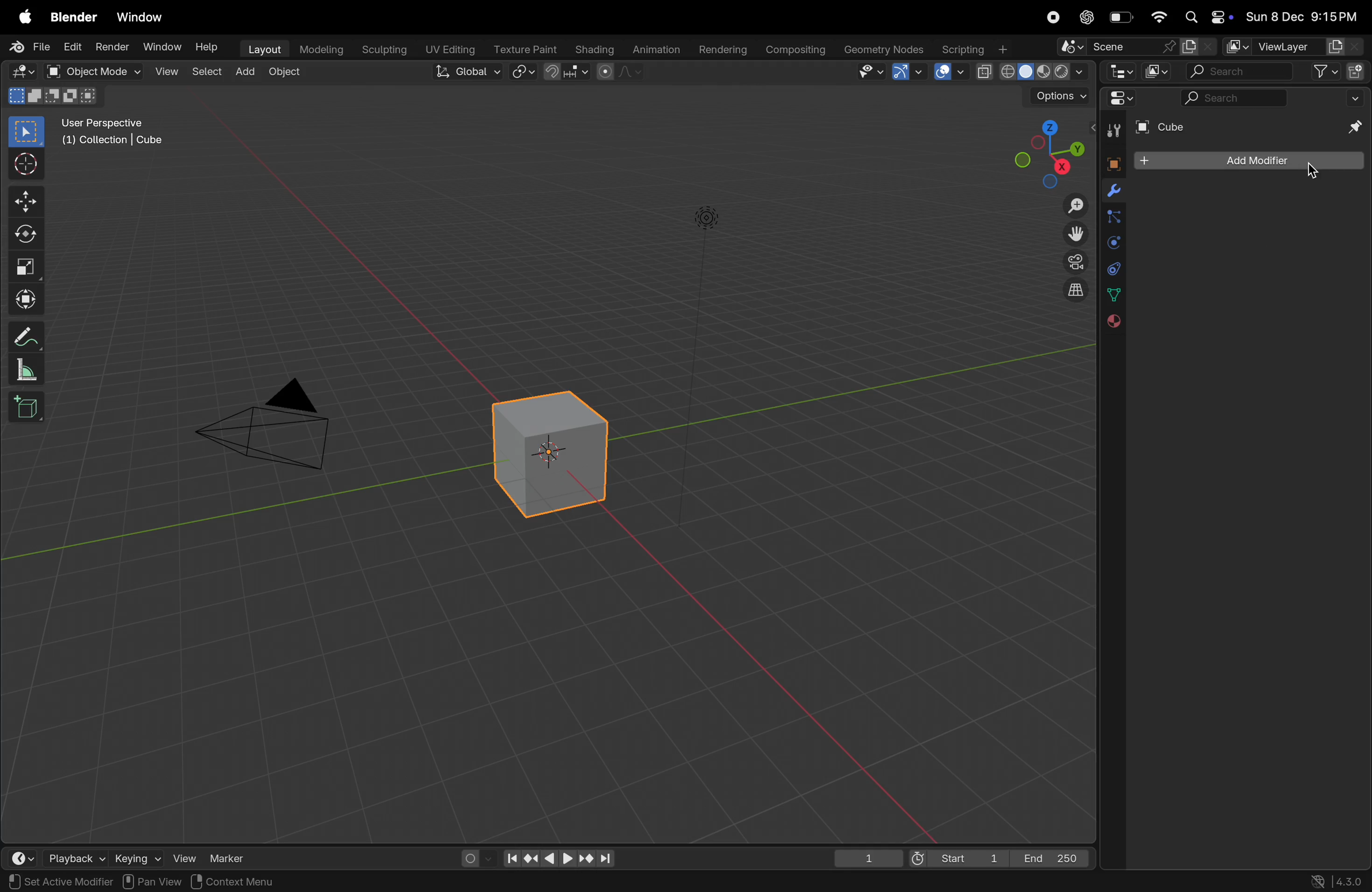  Describe the element at coordinates (556, 453) in the screenshot. I see `boject` at that location.